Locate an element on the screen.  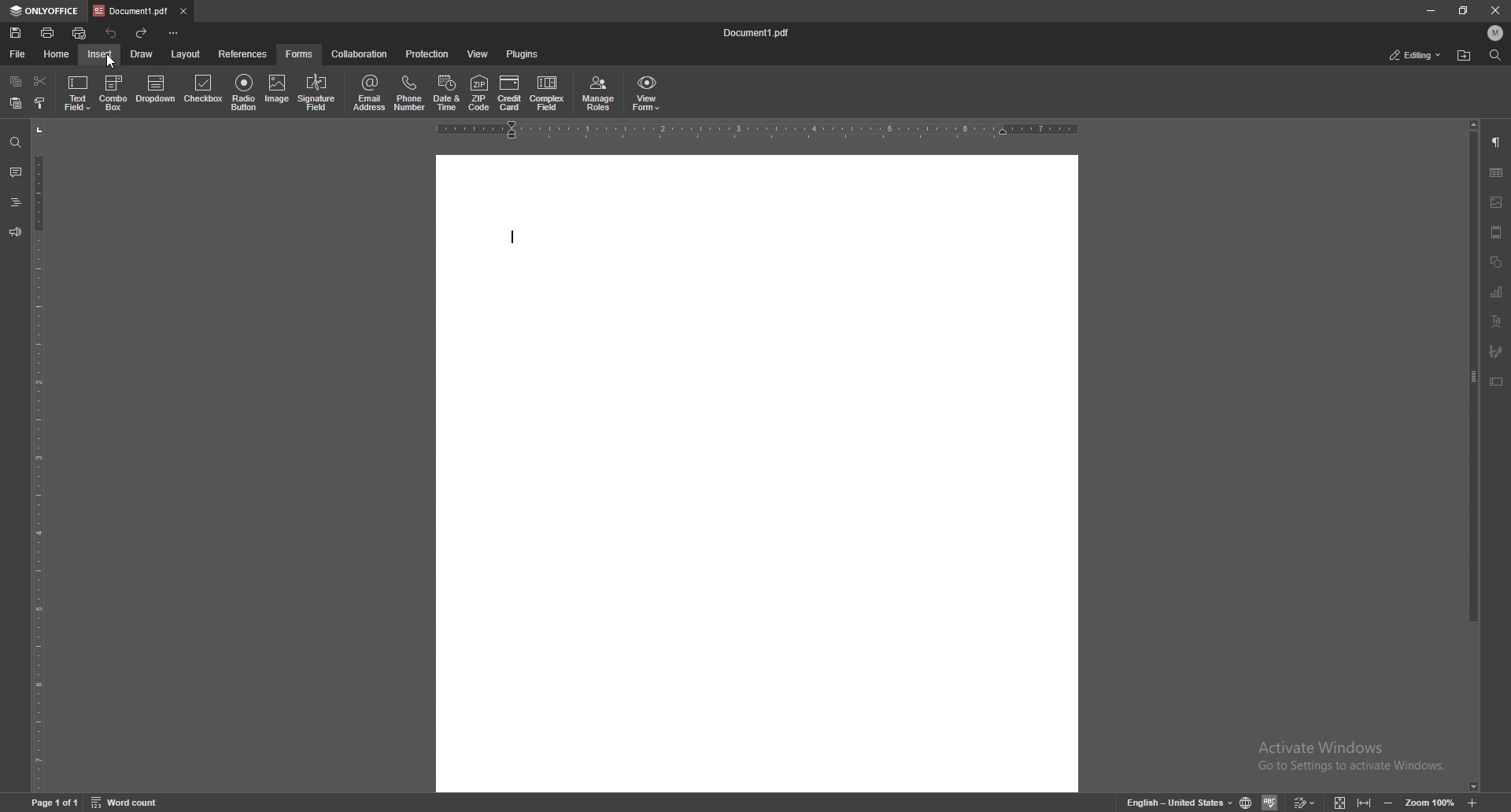
chart is located at coordinates (1498, 292).